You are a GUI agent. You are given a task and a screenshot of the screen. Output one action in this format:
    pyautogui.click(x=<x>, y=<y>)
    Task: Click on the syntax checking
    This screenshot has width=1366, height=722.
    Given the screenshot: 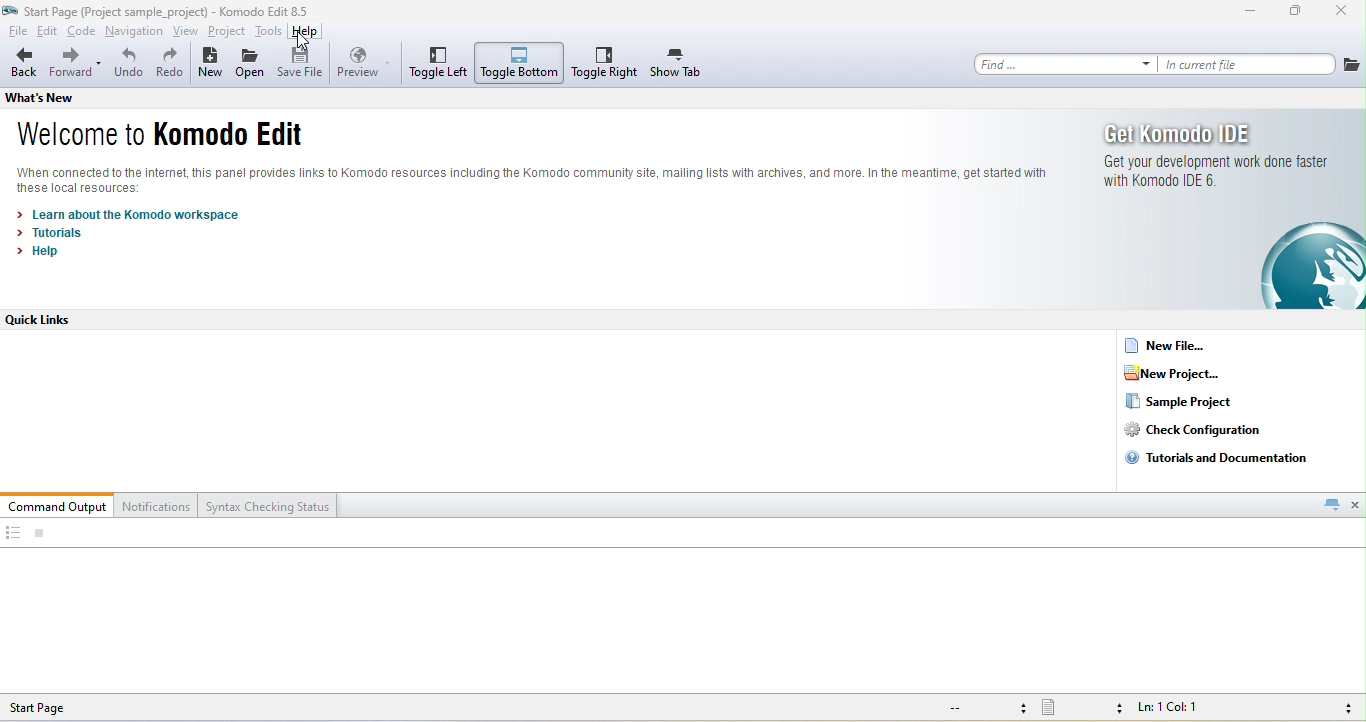 What is the action you would take?
    pyautogui.click(x=1343, y=708)
    